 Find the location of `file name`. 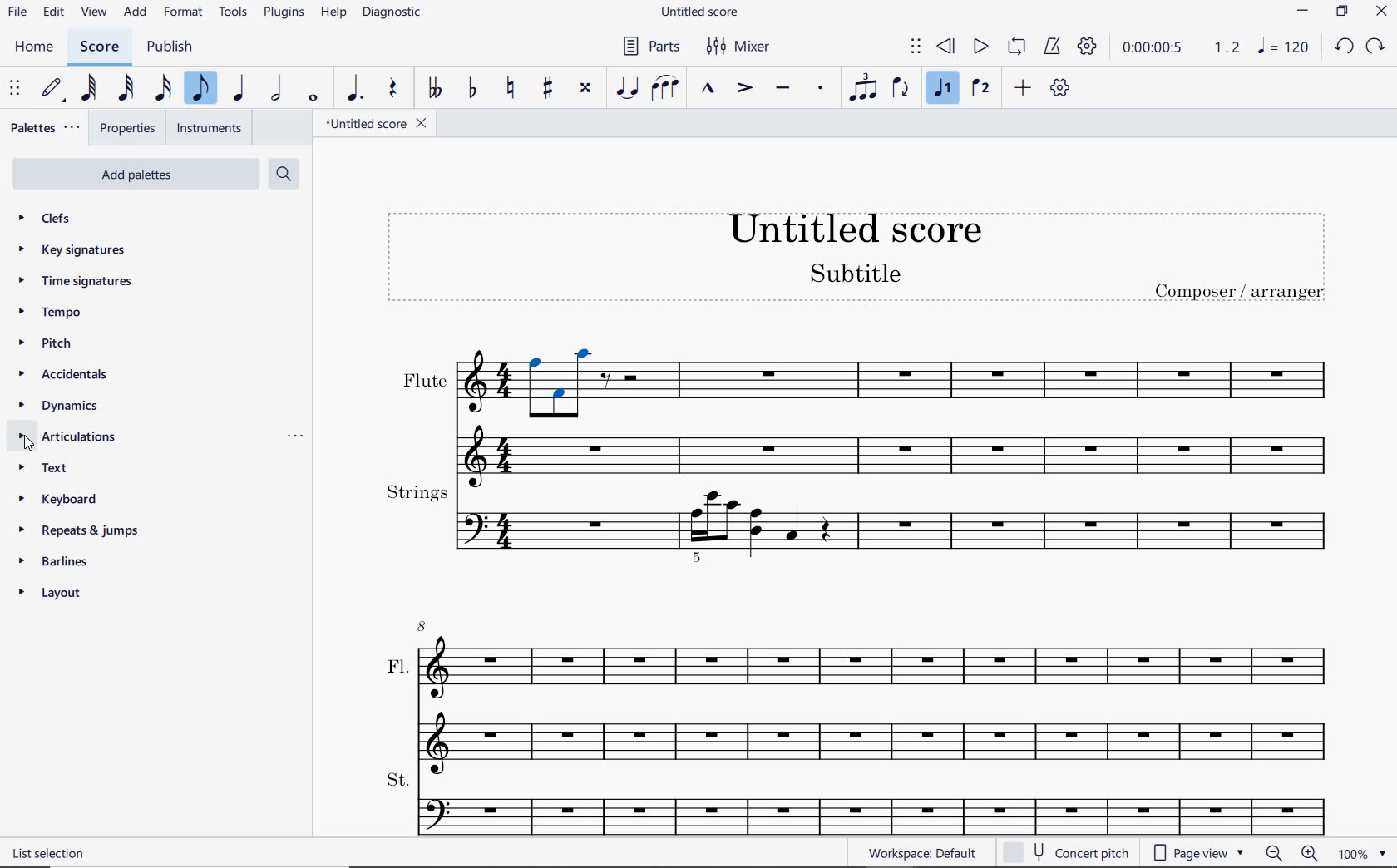

file name is located at coordinates (702, 11).